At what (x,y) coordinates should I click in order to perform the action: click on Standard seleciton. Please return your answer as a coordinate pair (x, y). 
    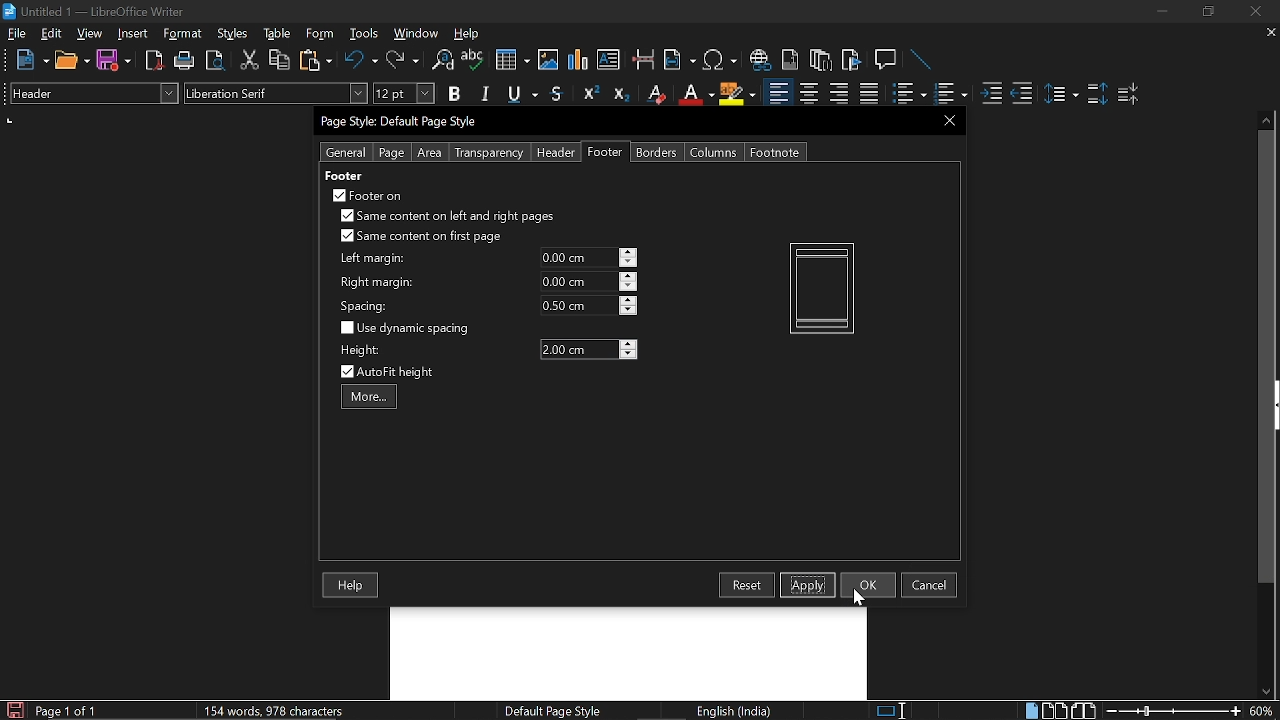
    Looking at the image, I should click on (895, 711).